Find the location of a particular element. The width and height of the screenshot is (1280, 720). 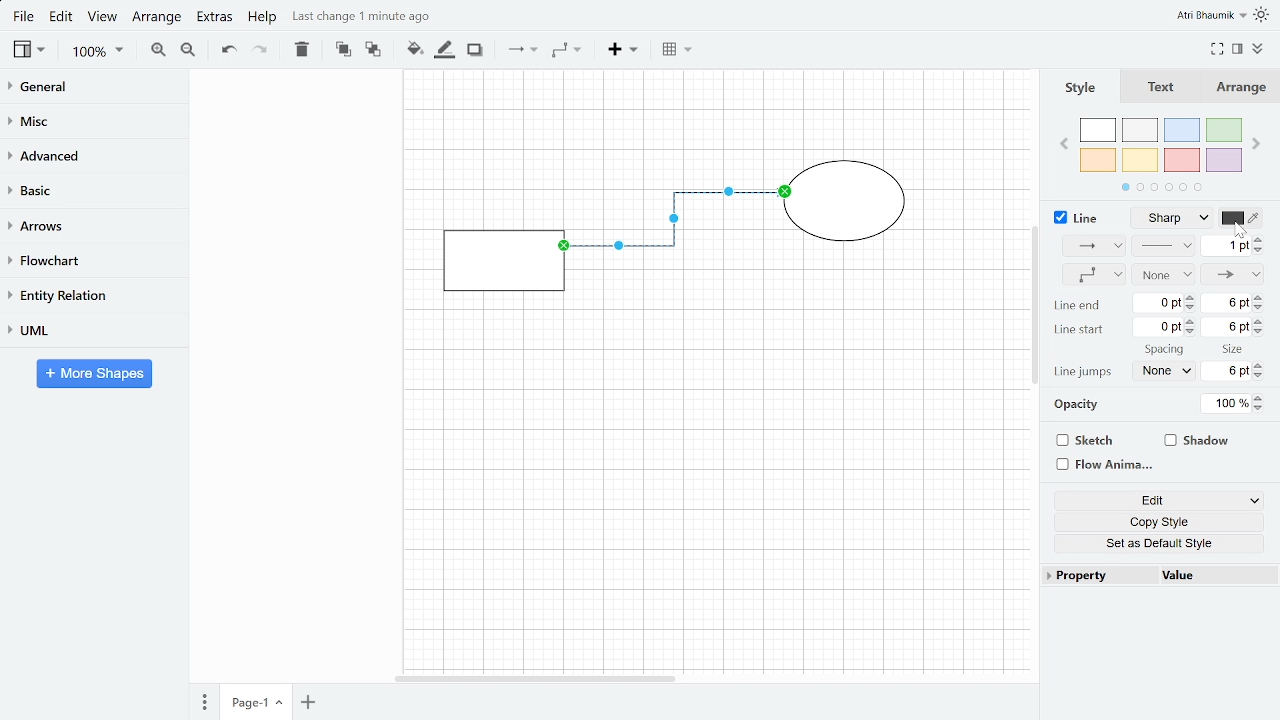

Yable is located at coordinates (676, 51).